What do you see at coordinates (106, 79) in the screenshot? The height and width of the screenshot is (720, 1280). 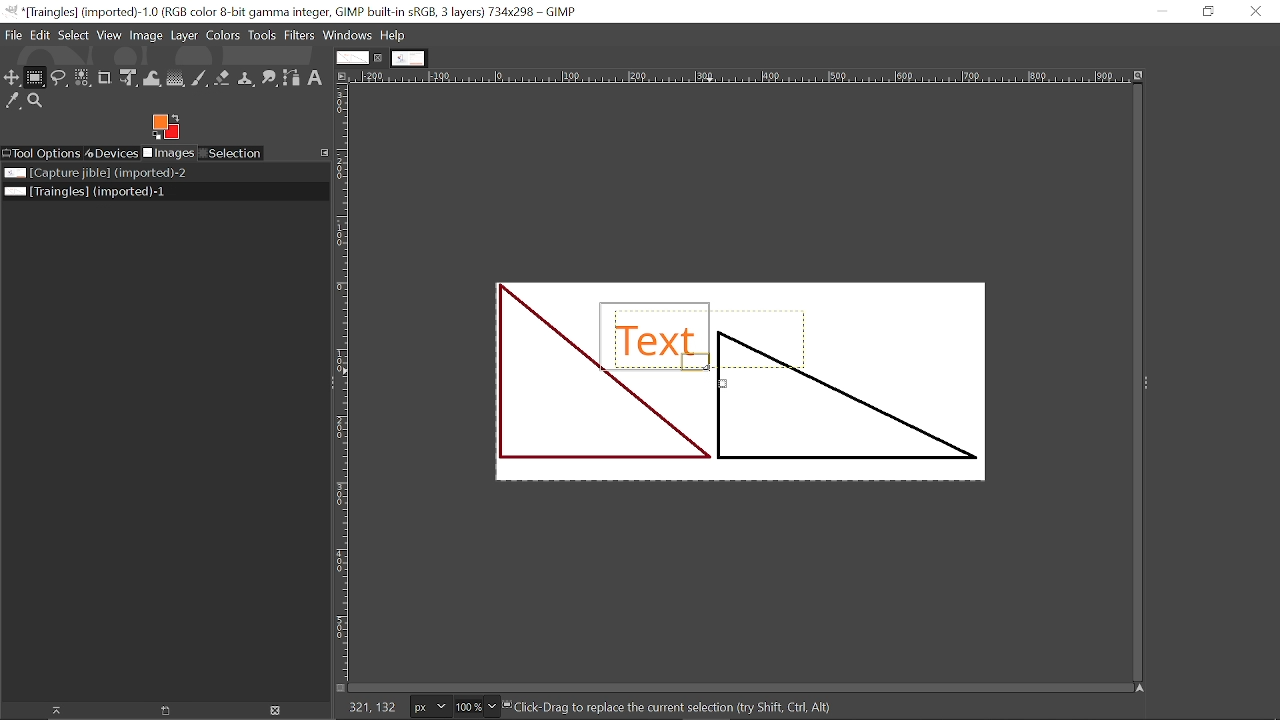 I see `Crop tool` at bounding box center [106, 79].